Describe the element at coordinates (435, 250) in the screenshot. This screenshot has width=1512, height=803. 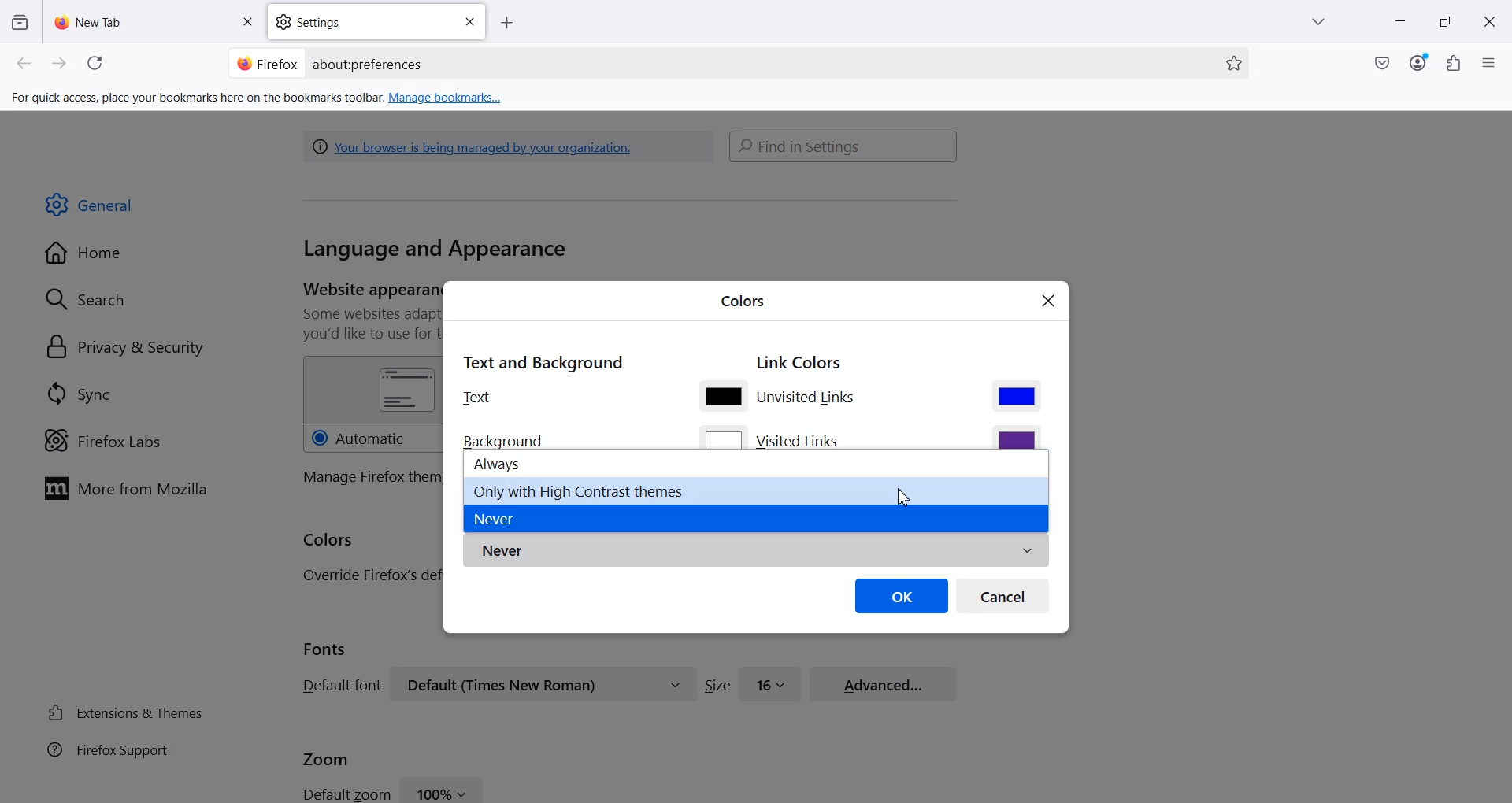
I see `Language and Appearance` at that location.